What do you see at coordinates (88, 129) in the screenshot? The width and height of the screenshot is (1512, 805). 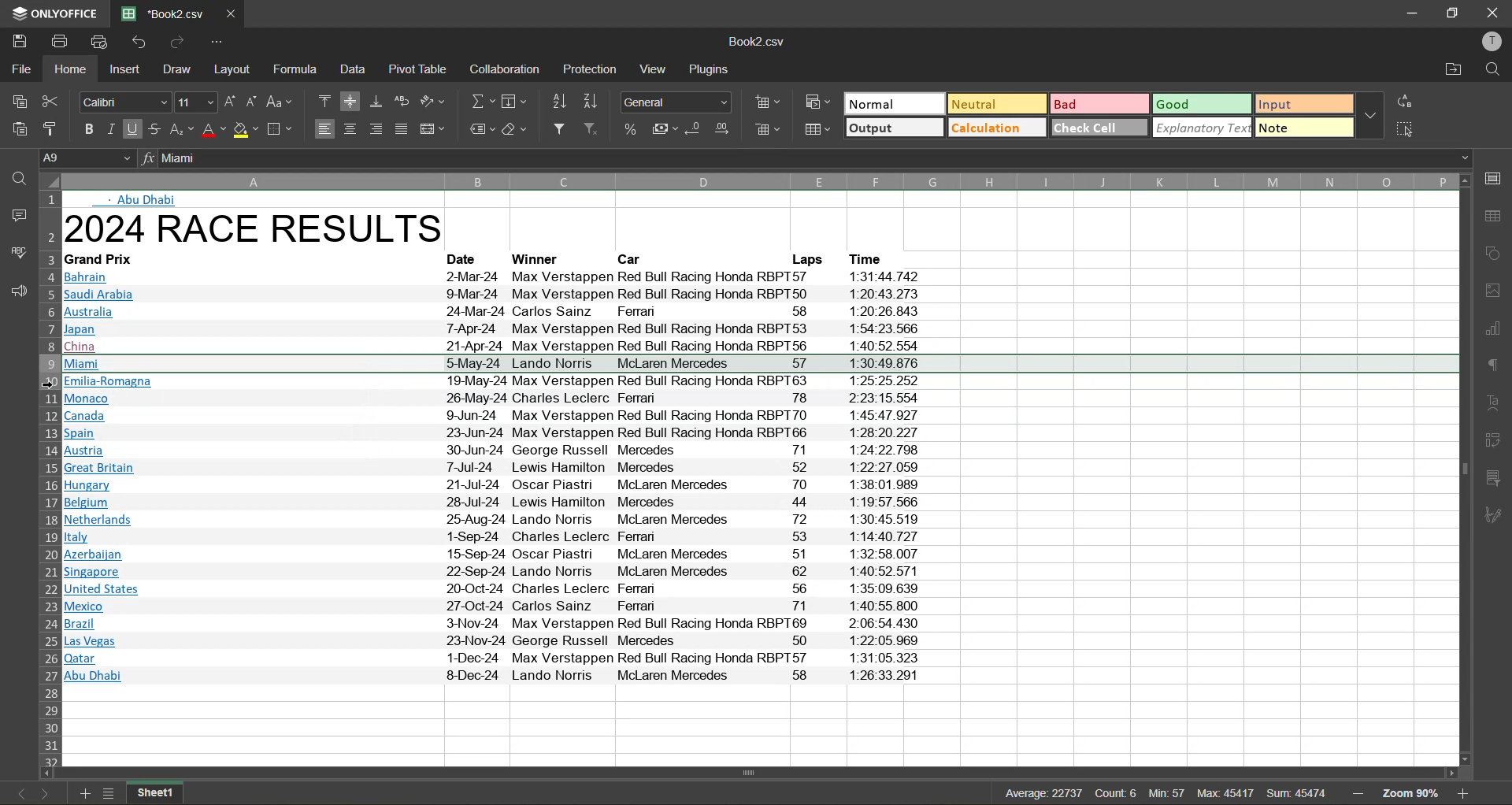 I see `bold` at bounding box center [88, 129].